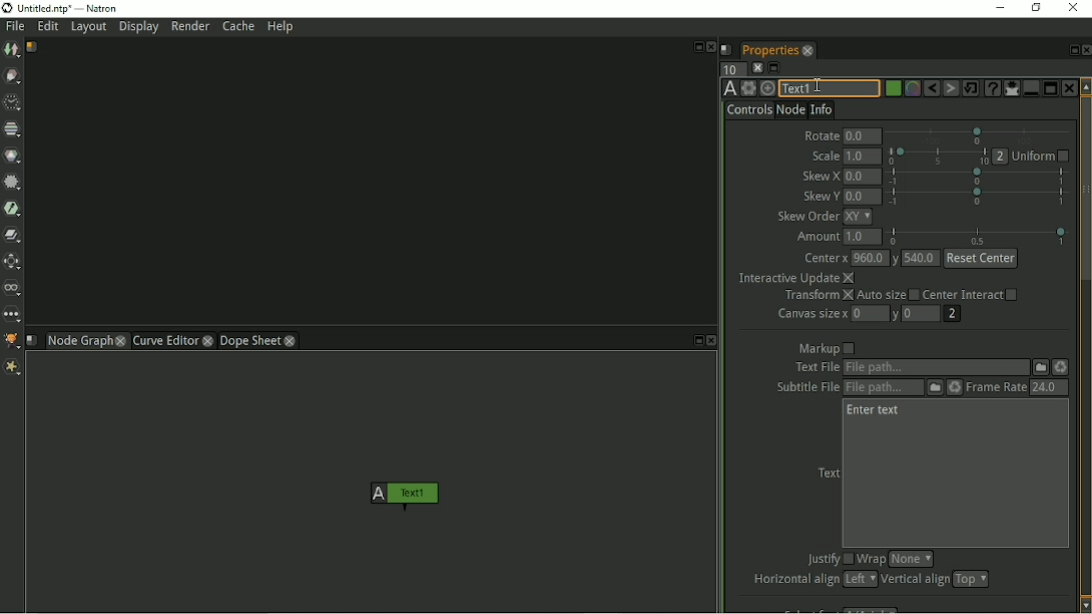 The height and width of the screenshot is (614, 1092). What do you see at coordinates (712, 341) in the screenshot?
I see `Close` at bounding box center [712, 341].